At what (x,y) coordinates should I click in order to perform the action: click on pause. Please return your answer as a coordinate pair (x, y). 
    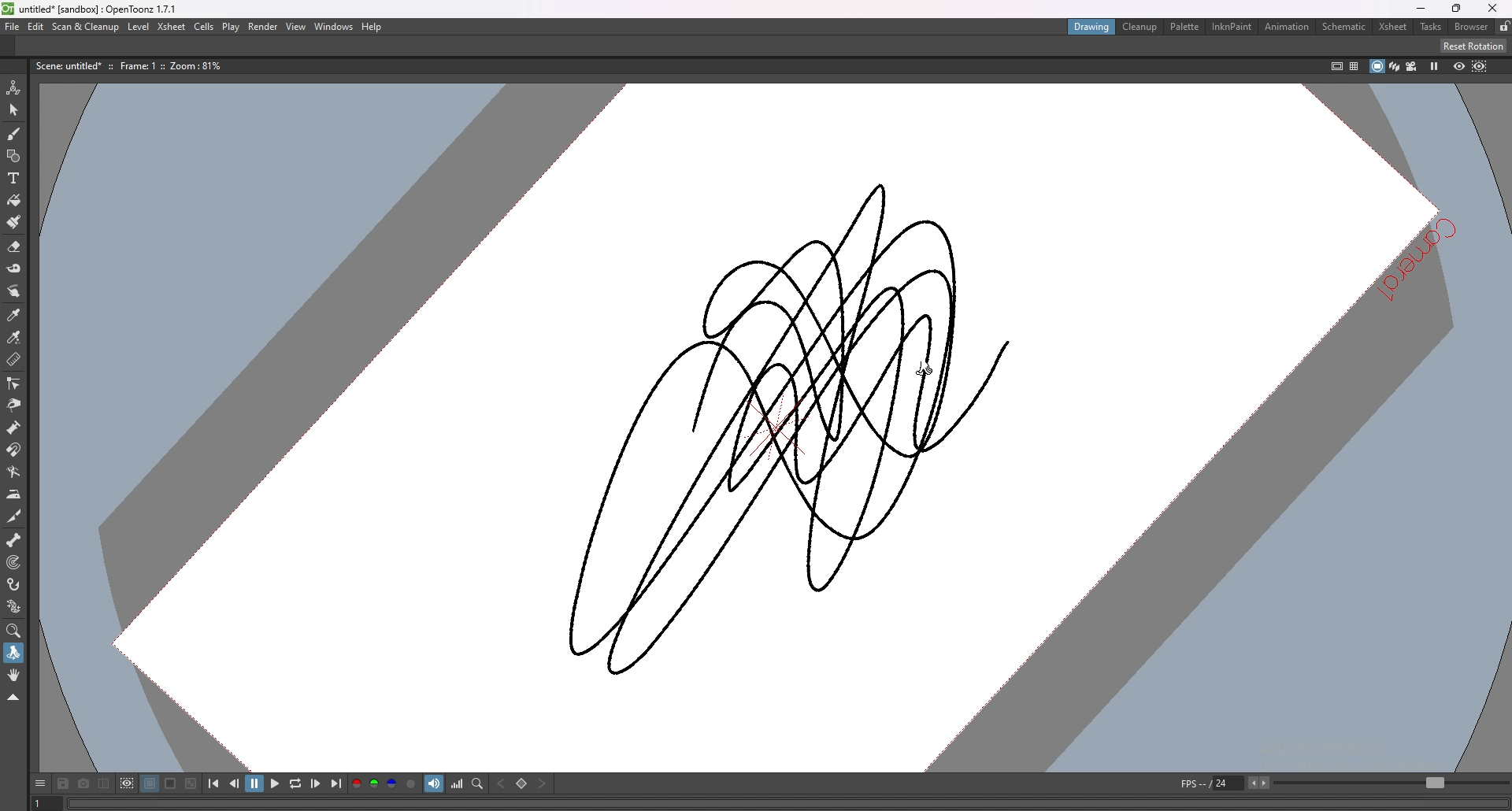
    Looking at the image, I should click on (256, 785).